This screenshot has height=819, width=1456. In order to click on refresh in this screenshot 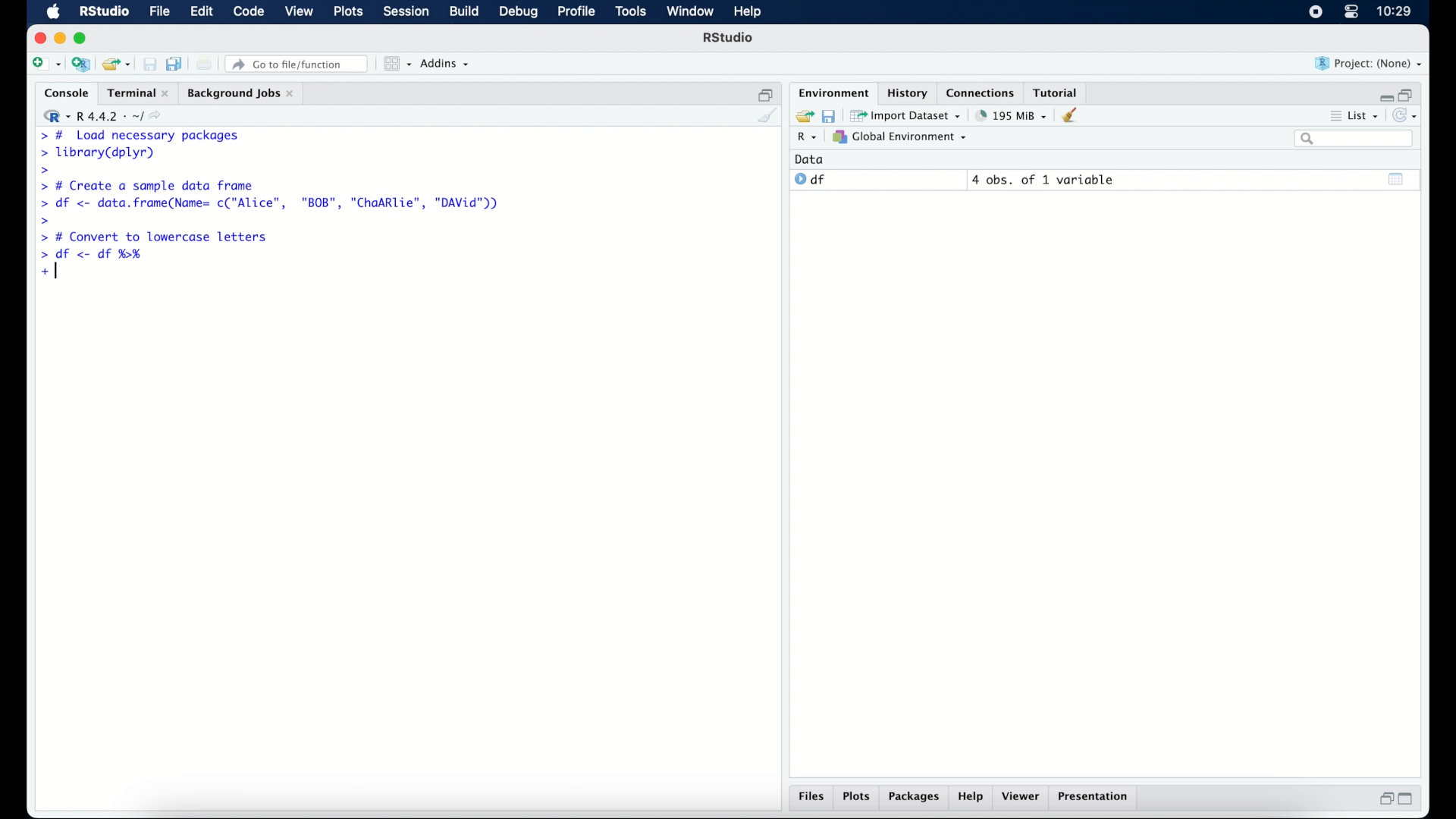, I will do `click(1407, 117)`.